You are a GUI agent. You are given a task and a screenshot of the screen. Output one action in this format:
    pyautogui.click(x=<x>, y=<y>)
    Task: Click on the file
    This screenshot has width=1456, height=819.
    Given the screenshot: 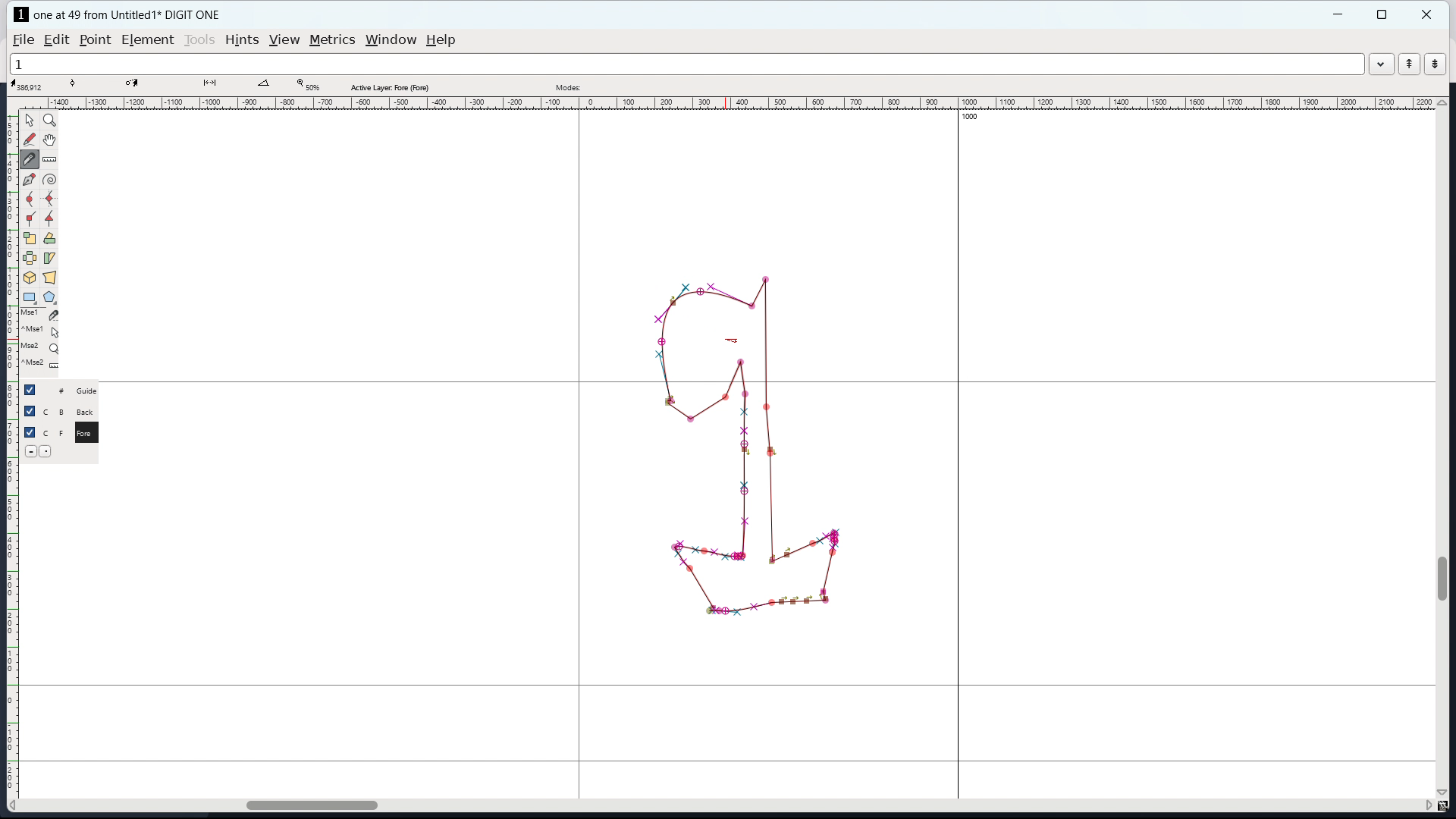 What is the action you would take?
    pyautogui.click(x=24, y=40)
    